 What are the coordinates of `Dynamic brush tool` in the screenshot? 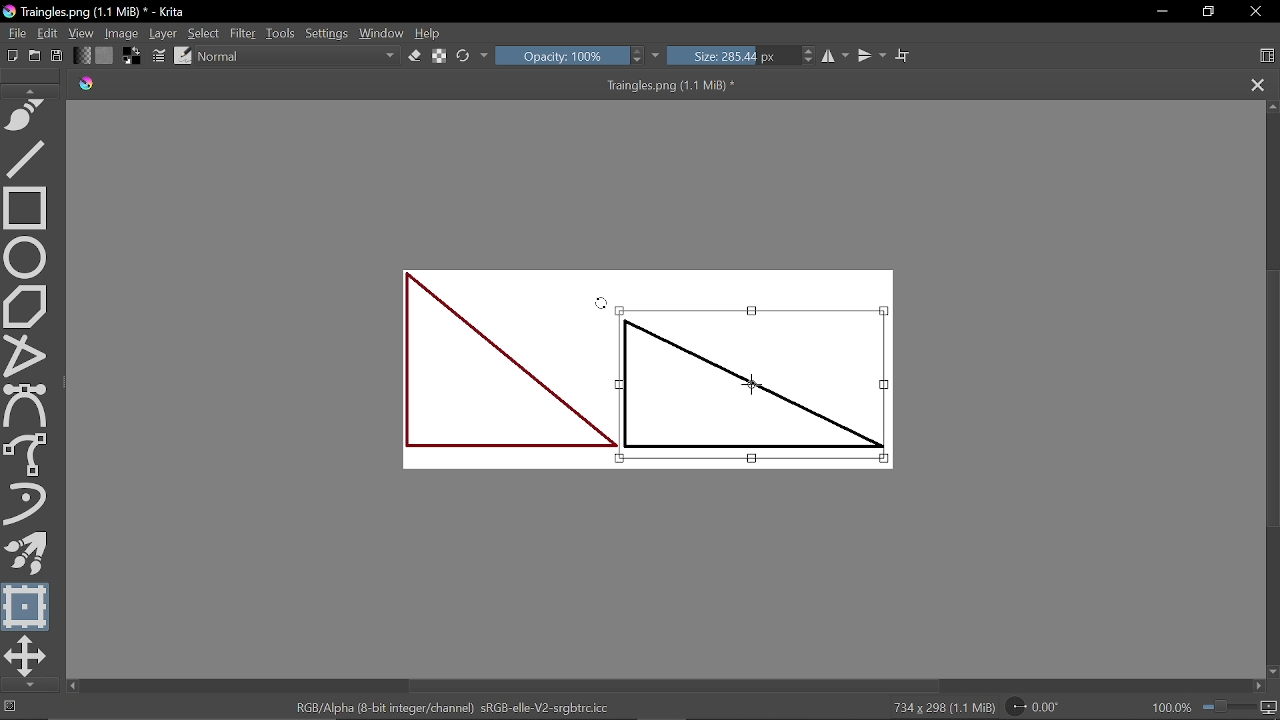 It's located at (31, 505).